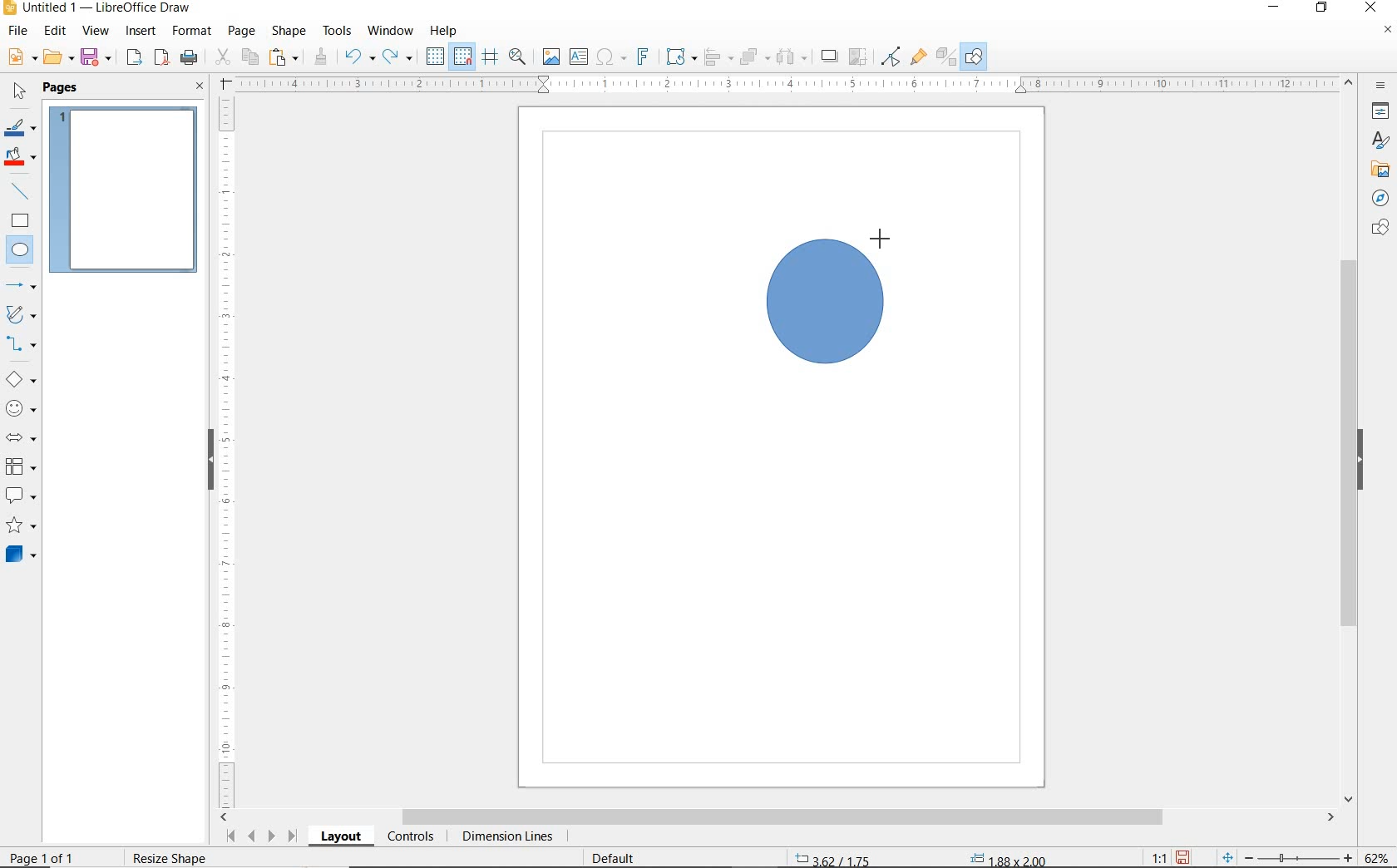 The width and height of the screenshot is (1397, 868). I want to click on SNAP TO GRID, so click(462, 57).